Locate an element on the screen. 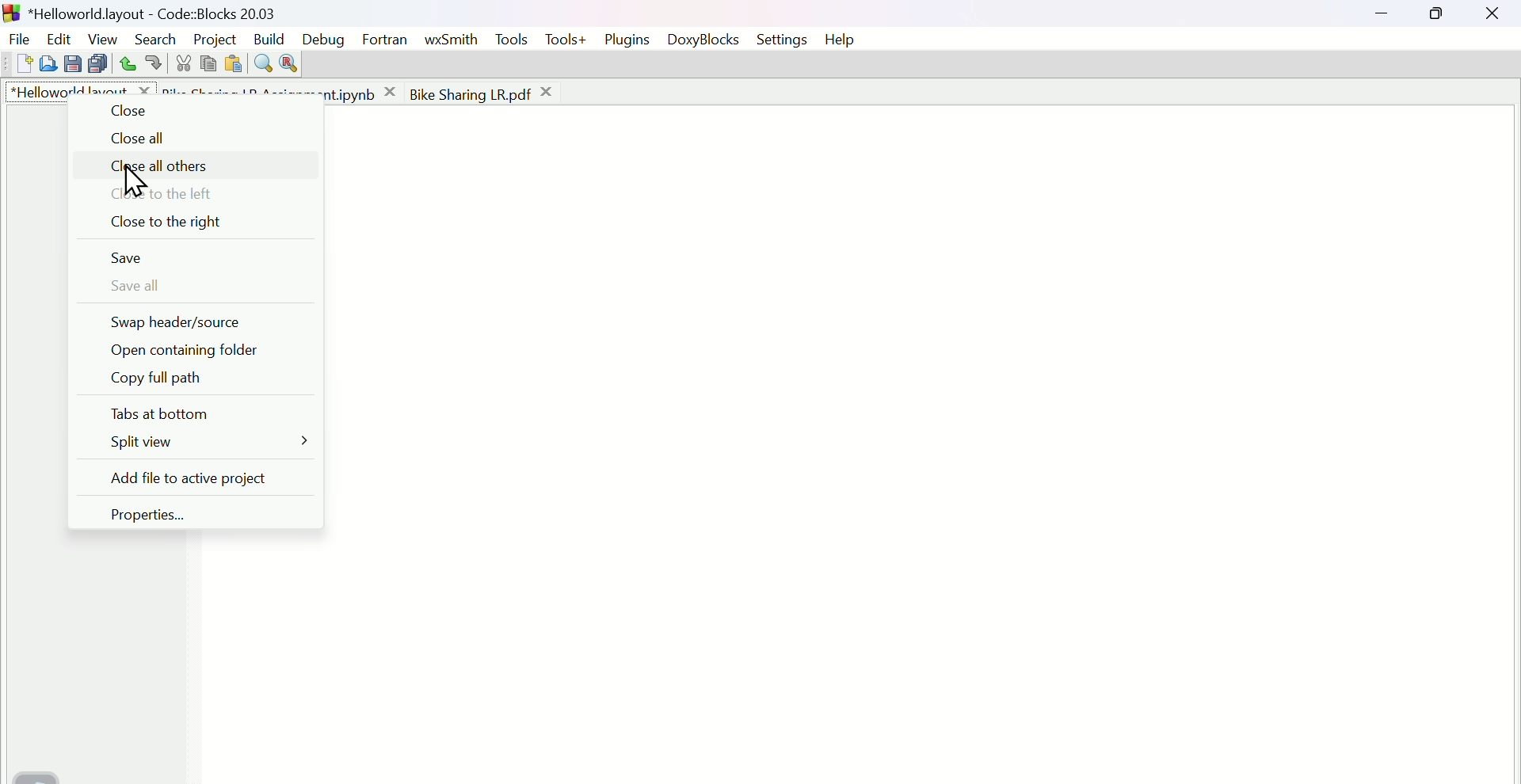  Redo is located at coordinates (151, 64).